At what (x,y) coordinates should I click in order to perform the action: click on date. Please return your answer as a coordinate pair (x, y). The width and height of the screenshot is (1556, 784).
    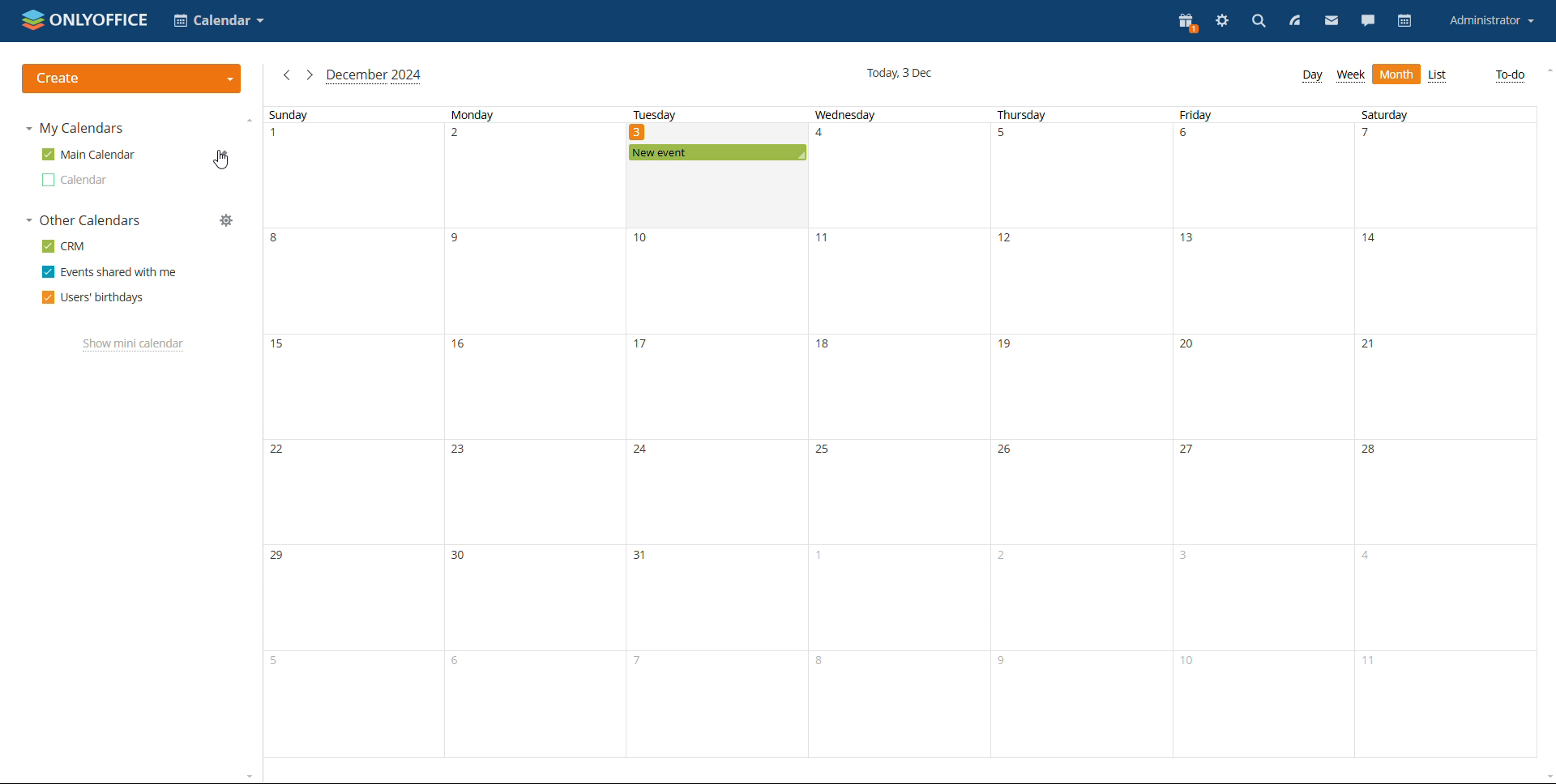
    Looking at the image, I should click on (1446, 705).